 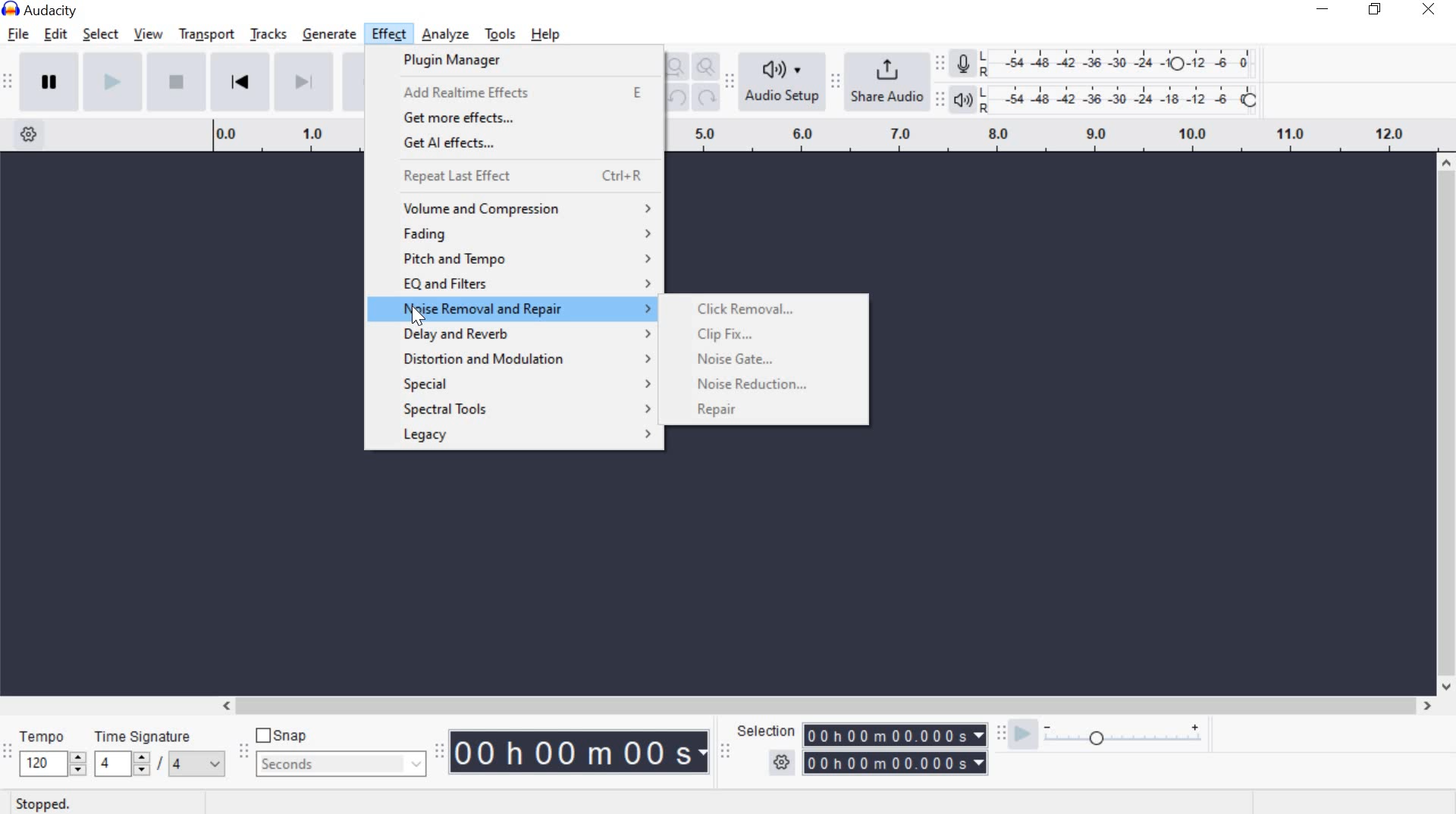 What do you see at coordinates (548, 34) in the screenshot?
I see `help` at bounding box center [548, 34].